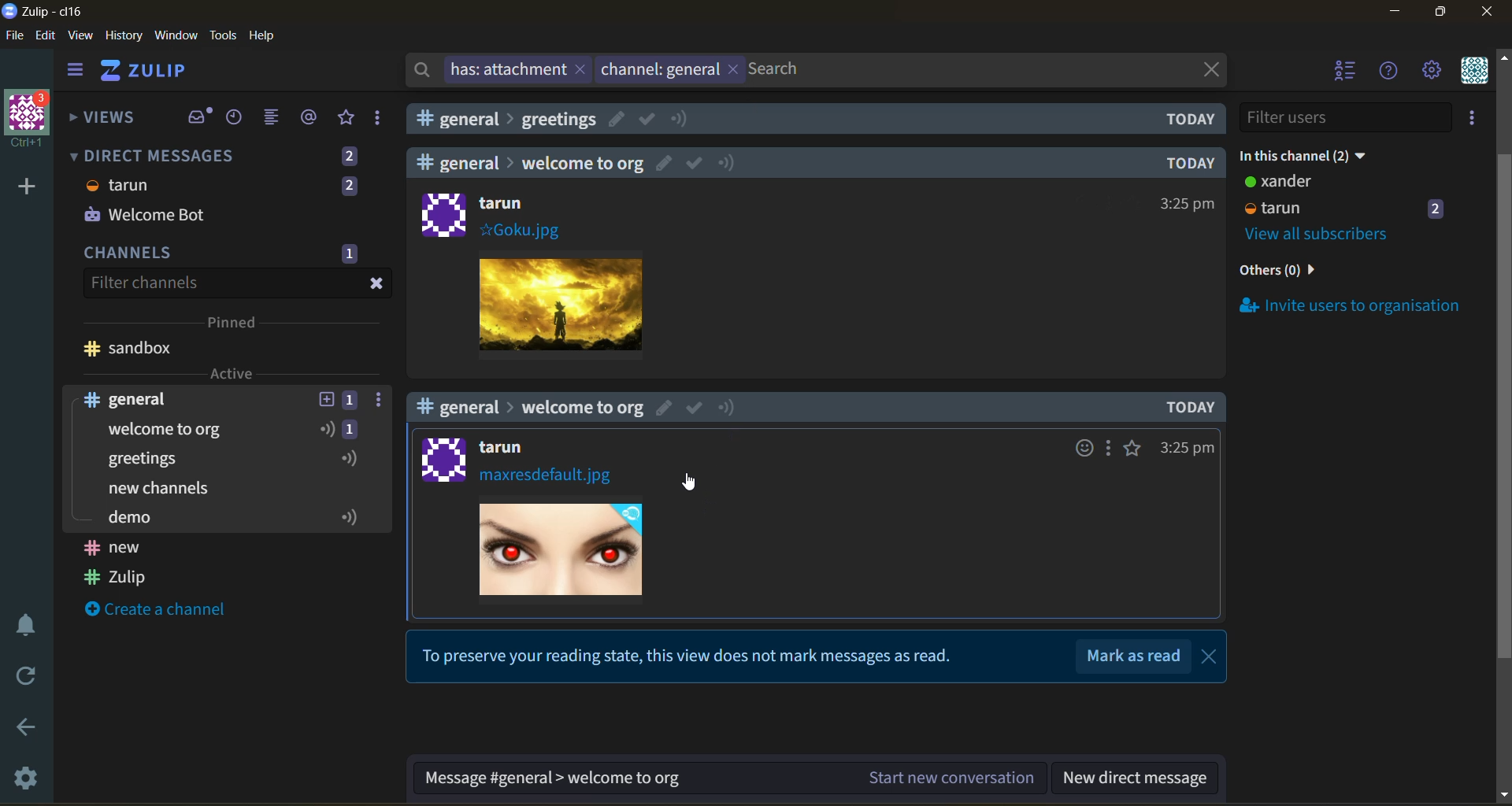  What do you see at coordinates (176, 35) in the screenshot?
I see `window` at bounding box center [176, 35].